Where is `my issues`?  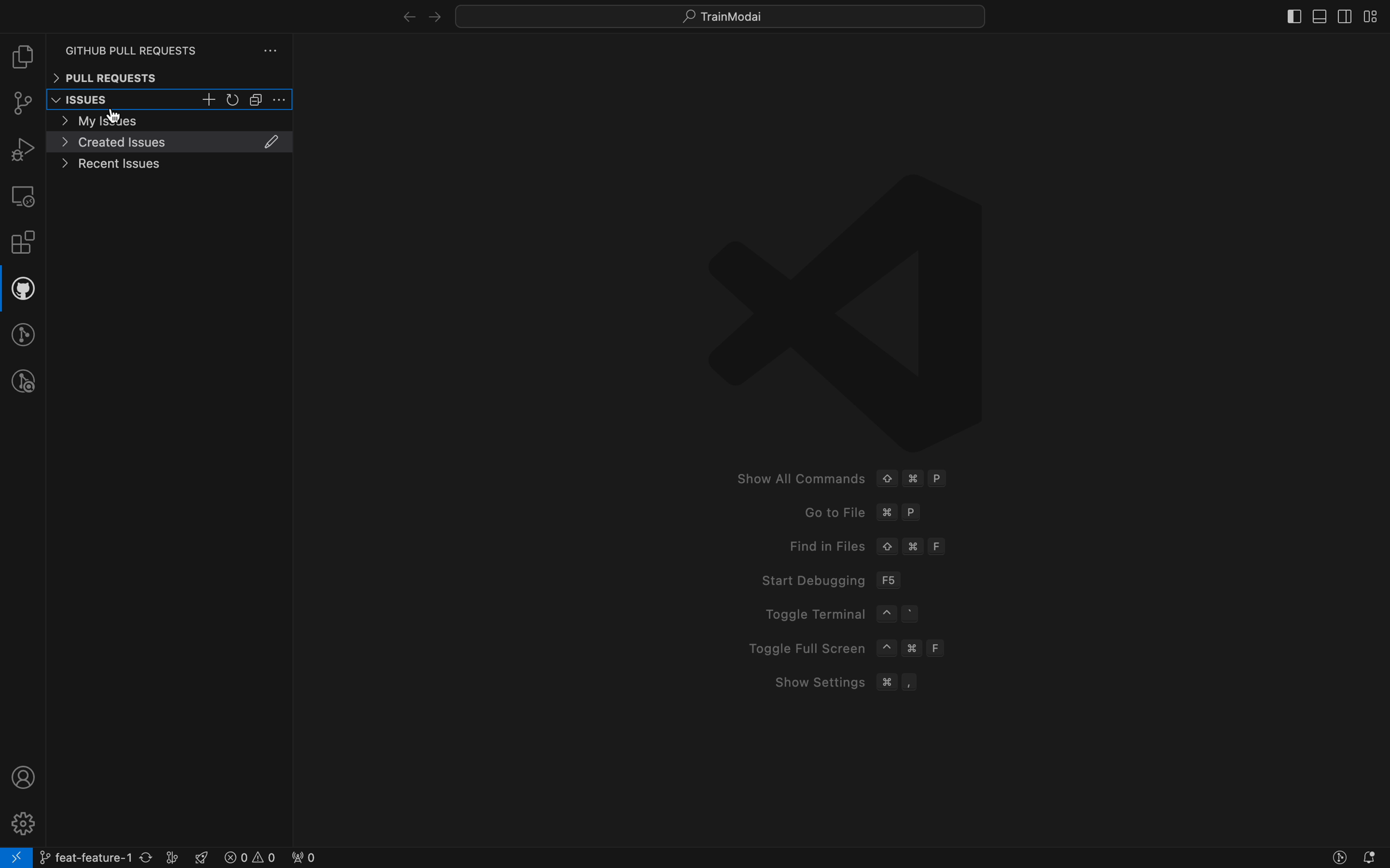 my issues is located at coordinates (170, 120).